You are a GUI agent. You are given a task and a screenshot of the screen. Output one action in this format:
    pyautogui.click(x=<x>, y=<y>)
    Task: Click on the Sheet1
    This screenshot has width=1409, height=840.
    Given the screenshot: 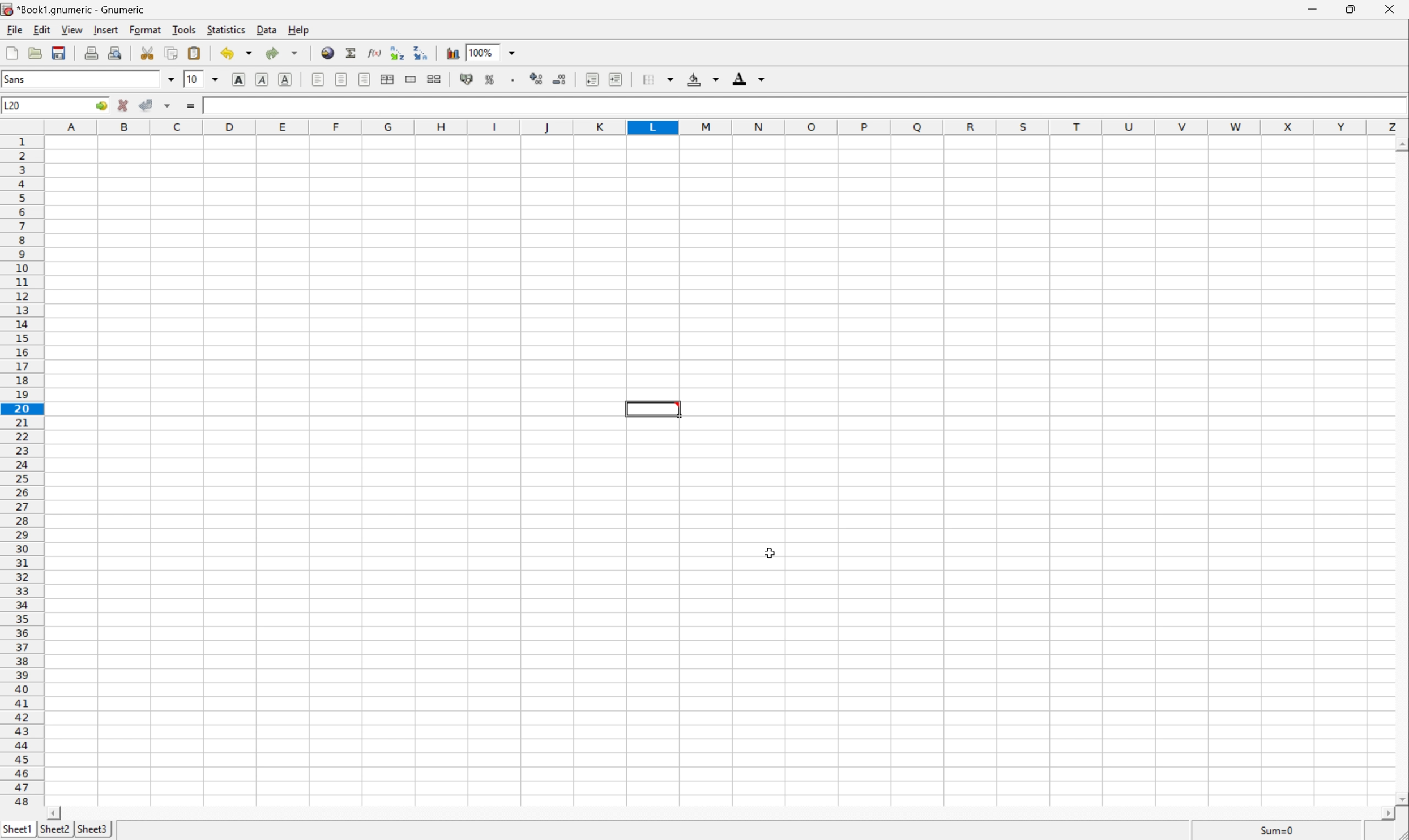 What is the action you would take?
    pyautogui.click(x=19, y=829)
    